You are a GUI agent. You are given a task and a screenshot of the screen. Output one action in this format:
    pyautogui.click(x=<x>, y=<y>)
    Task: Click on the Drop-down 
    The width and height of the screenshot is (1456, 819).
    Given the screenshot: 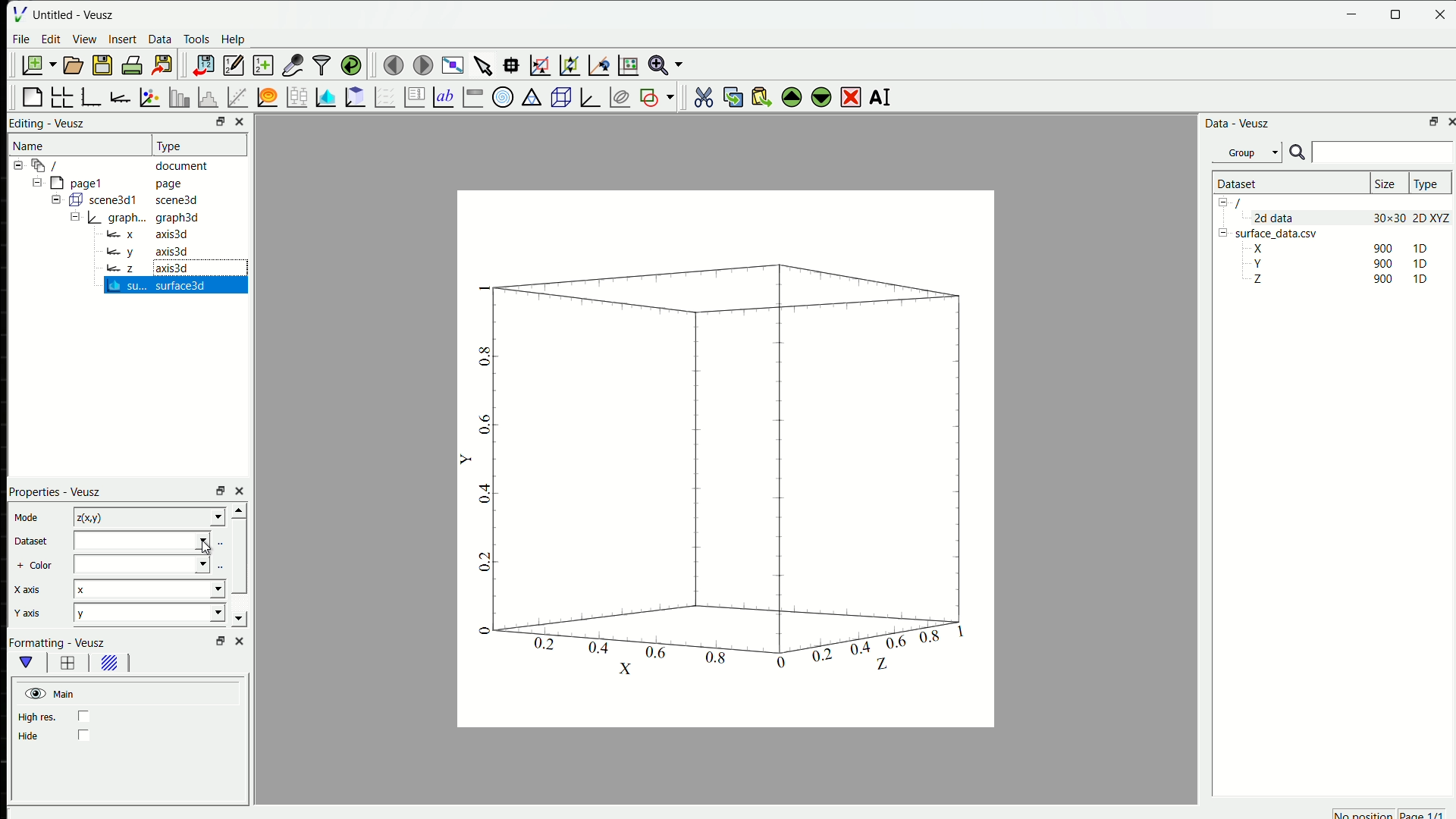 What is the action you would take?
    pyautogui.click(x=220, y=516)
    